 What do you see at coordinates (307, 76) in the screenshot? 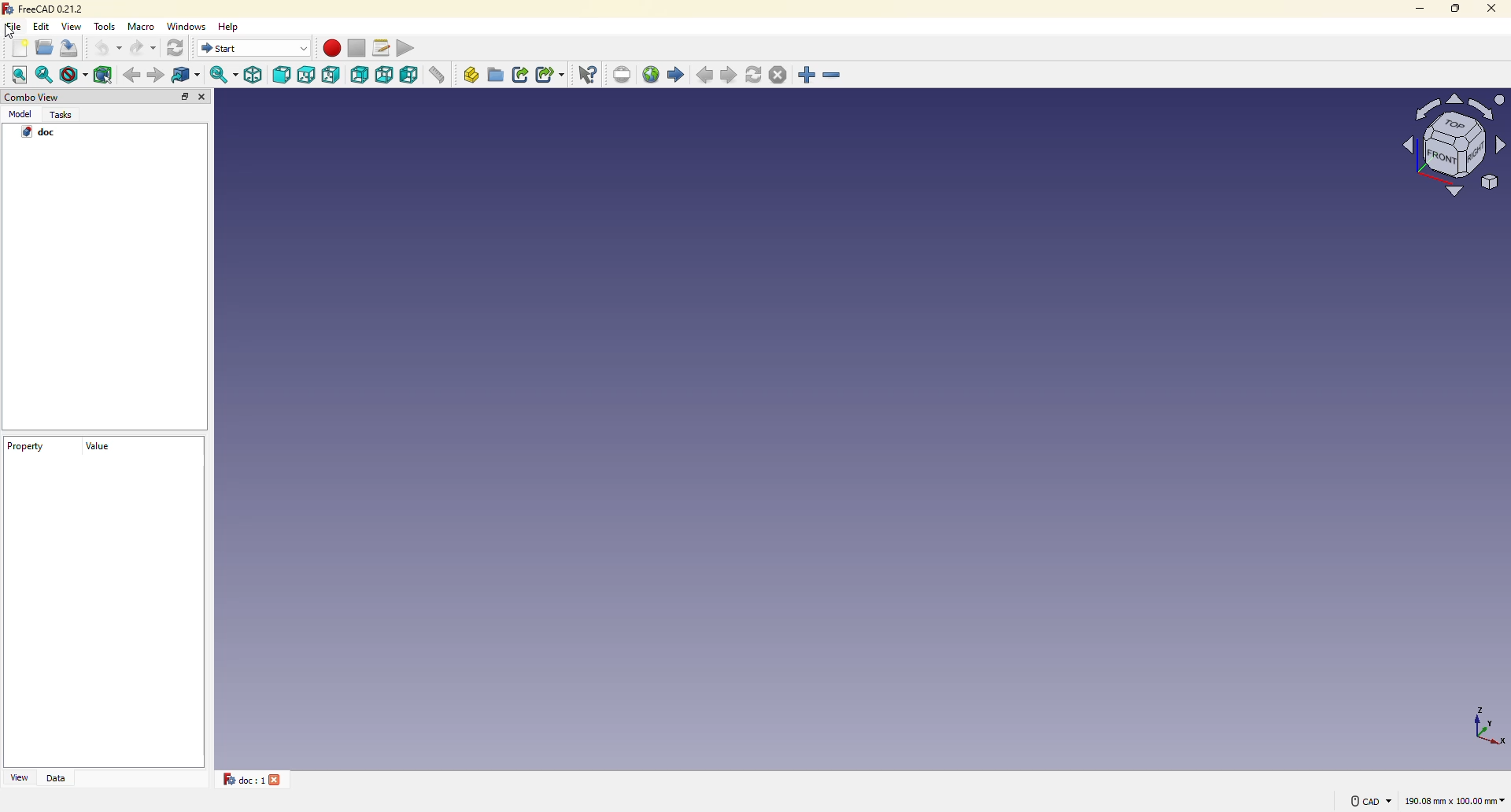
I see `top` at bounding box center [307, 76].